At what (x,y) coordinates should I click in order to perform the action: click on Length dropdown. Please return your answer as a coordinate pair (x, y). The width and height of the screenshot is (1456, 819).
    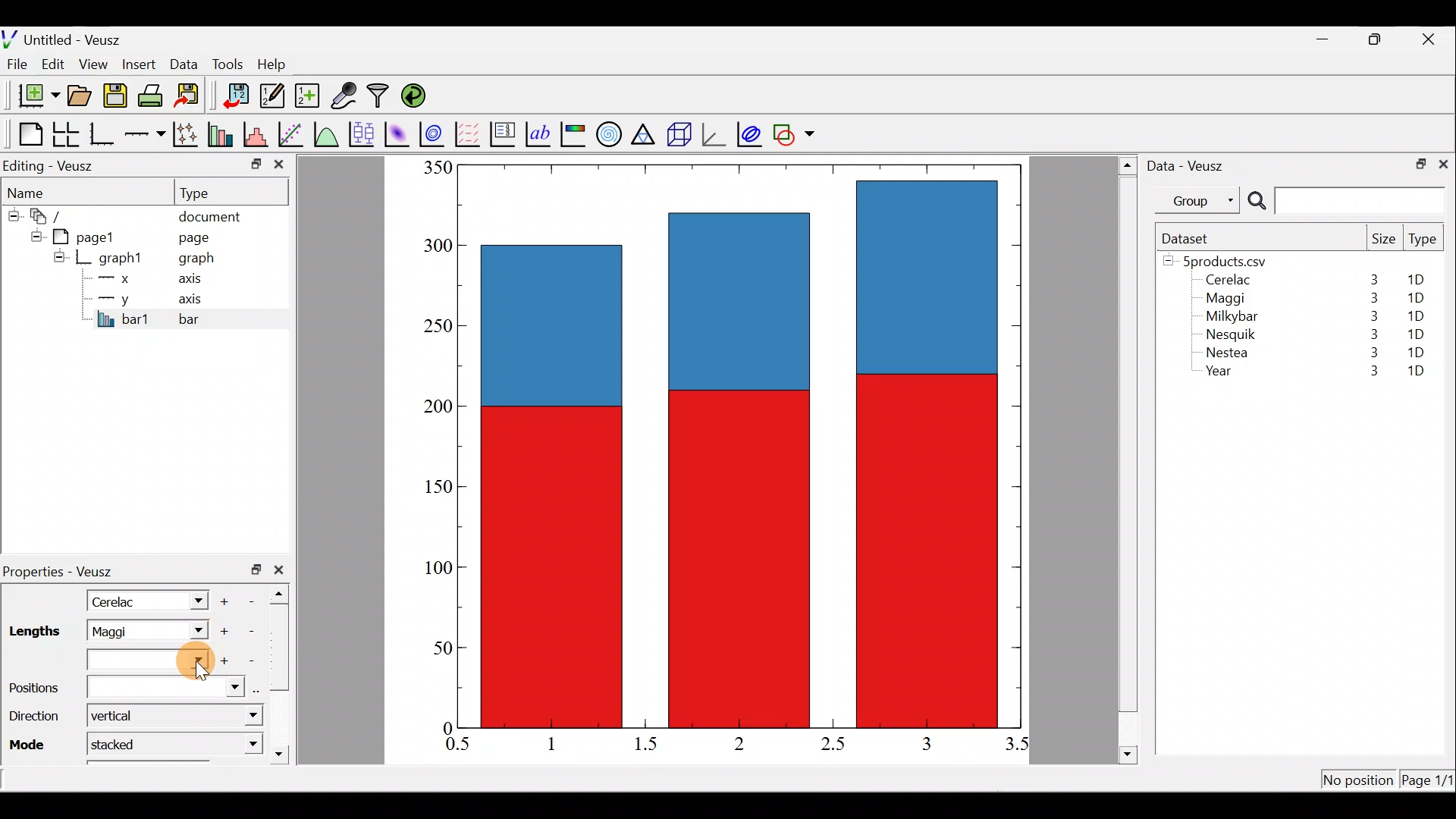
    Looking at the image, I should click on (191, 600).